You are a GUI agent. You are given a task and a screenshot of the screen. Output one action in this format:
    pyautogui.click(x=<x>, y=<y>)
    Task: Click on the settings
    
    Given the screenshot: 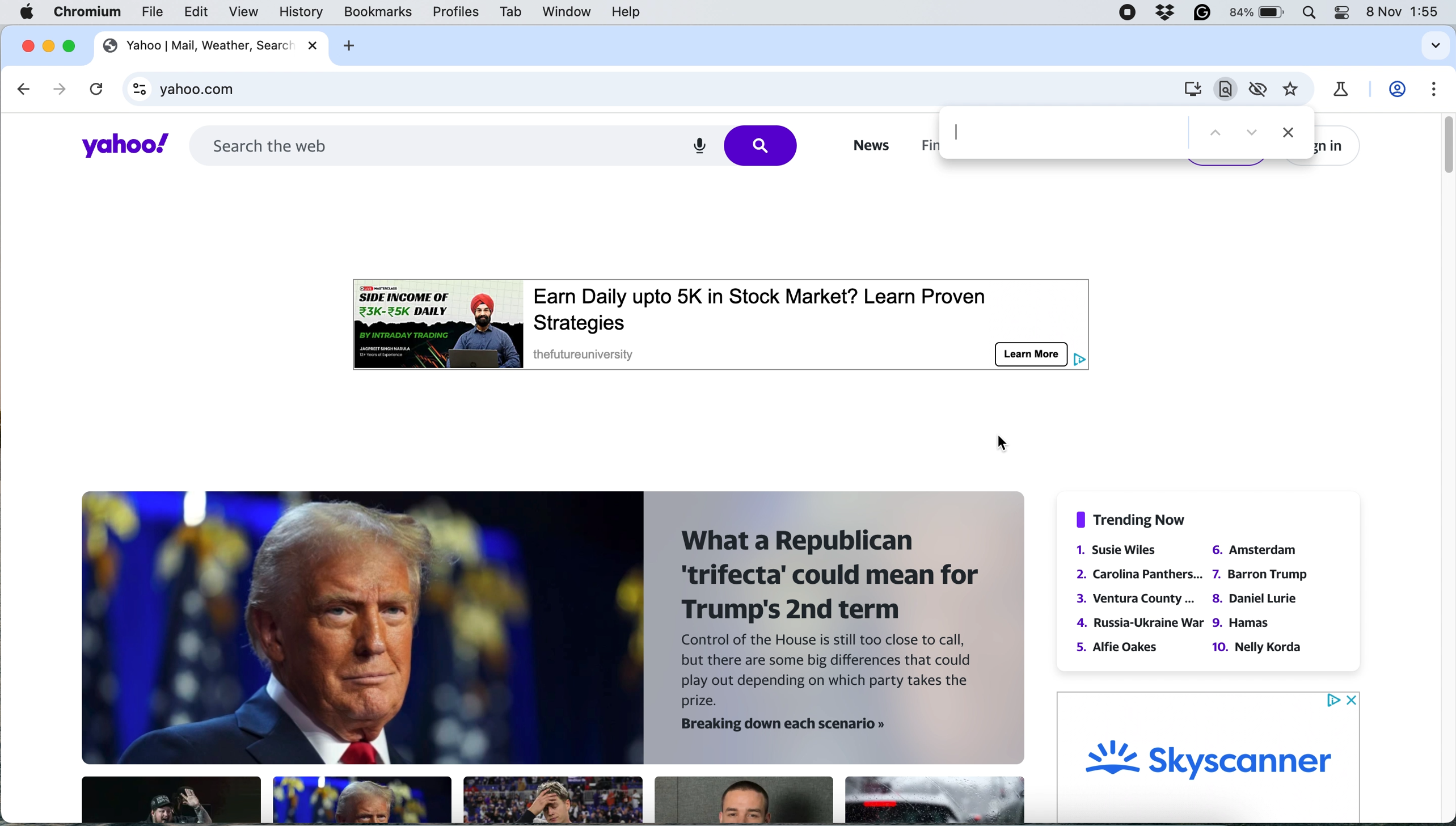 What is the action you would take?
    pyautogui.click(x=1430, y=87)
    